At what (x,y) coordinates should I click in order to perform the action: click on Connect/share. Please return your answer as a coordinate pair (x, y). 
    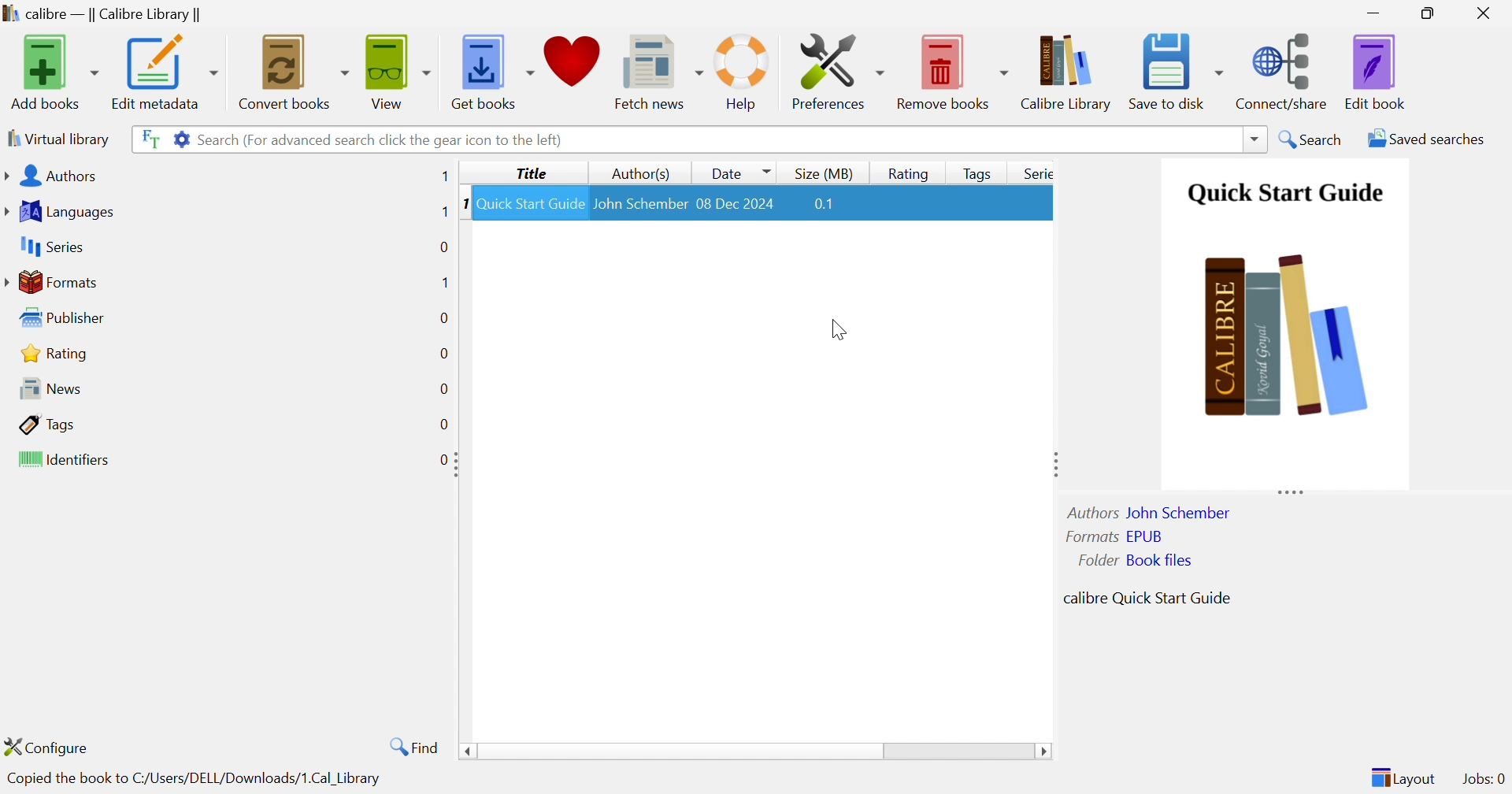
    Looking at the image, I should click on (1283, 72).